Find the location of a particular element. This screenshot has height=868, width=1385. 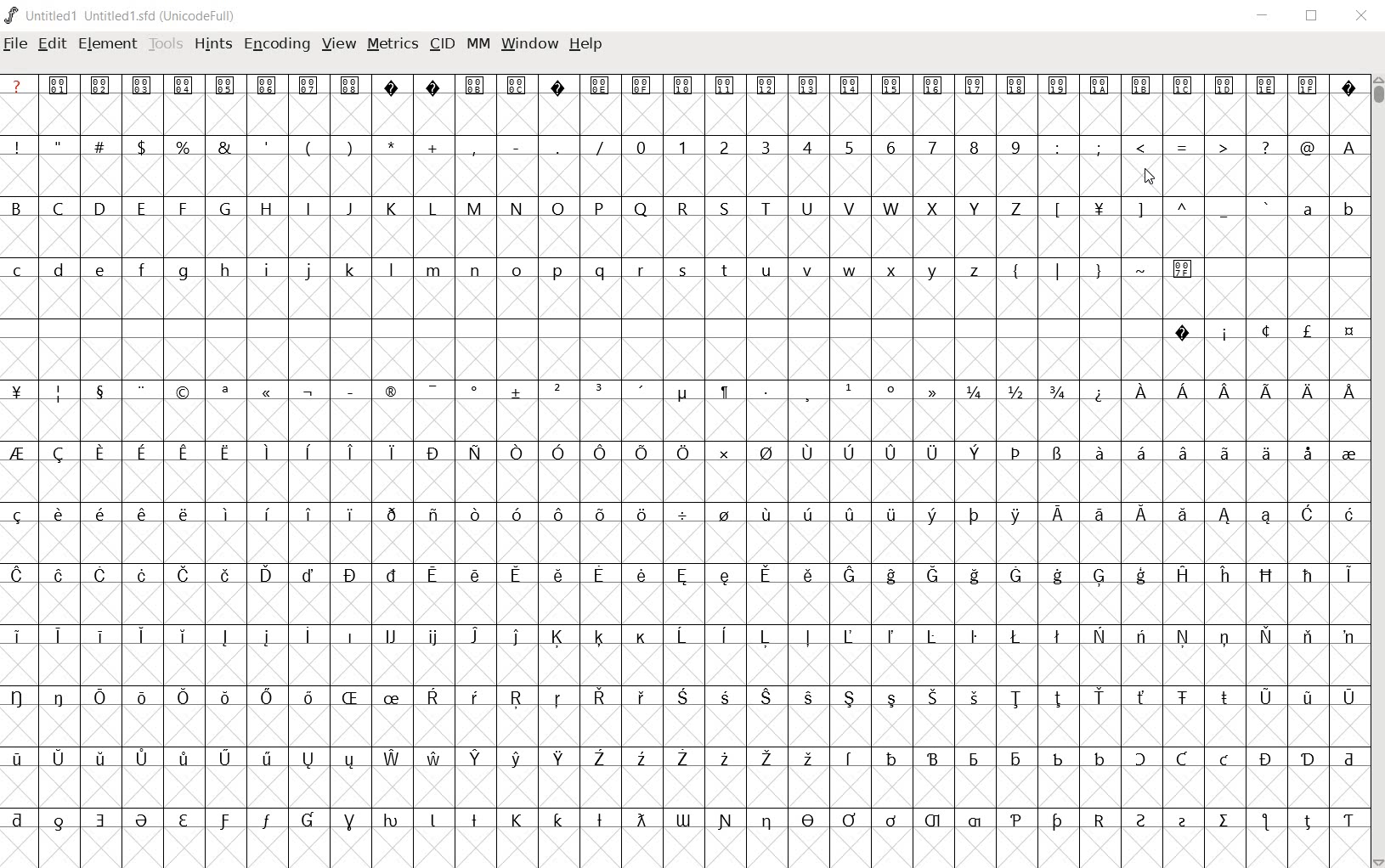

sumbols is located at coordinates (1162, 209).